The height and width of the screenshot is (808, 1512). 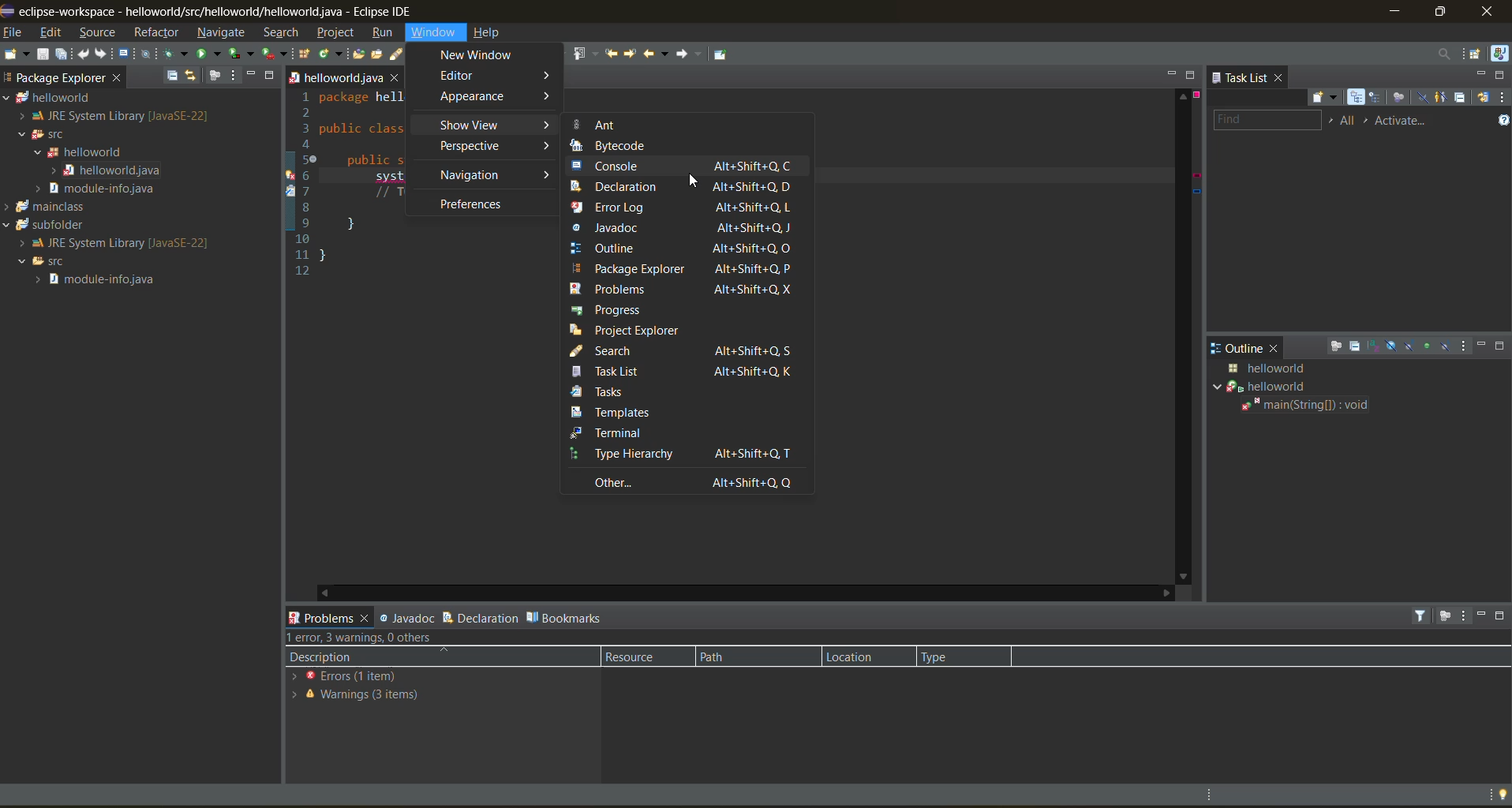 I want to click on new java class, so click(x=331, y=55).